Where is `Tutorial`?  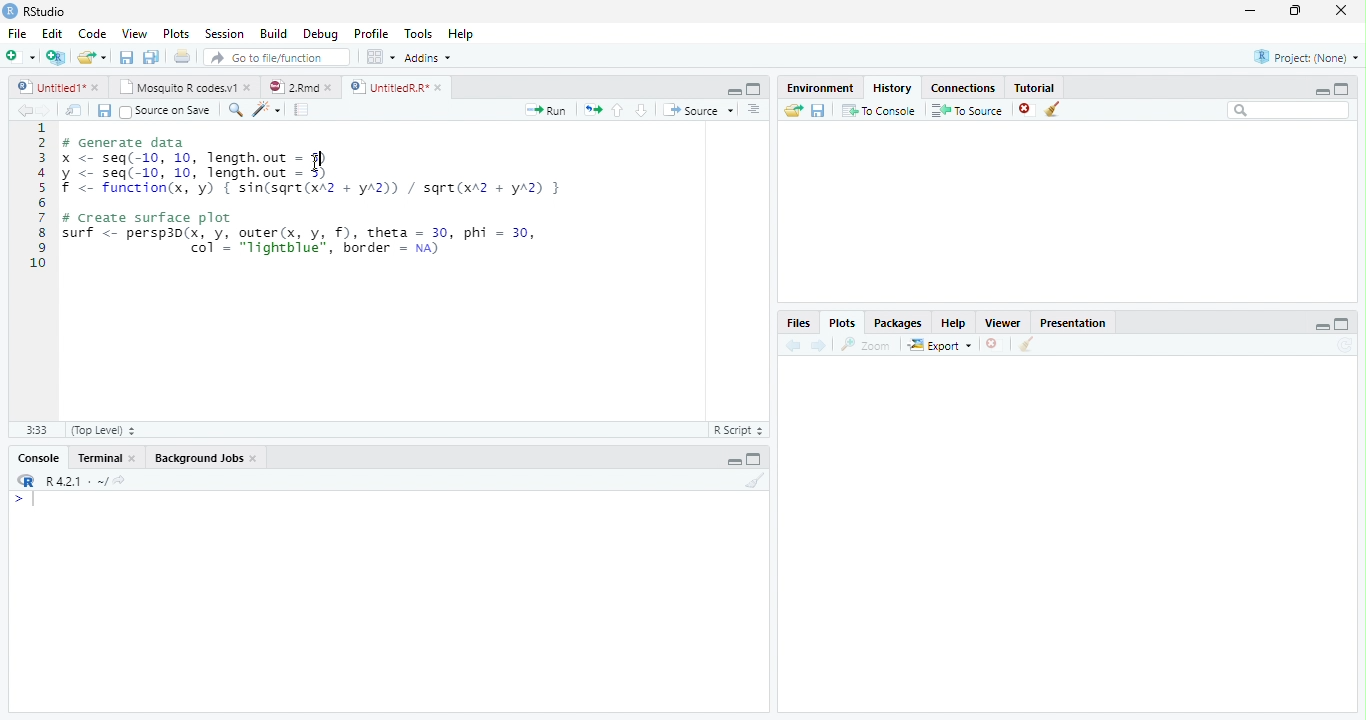 Tutorial is located at coordinates (1034, 86).